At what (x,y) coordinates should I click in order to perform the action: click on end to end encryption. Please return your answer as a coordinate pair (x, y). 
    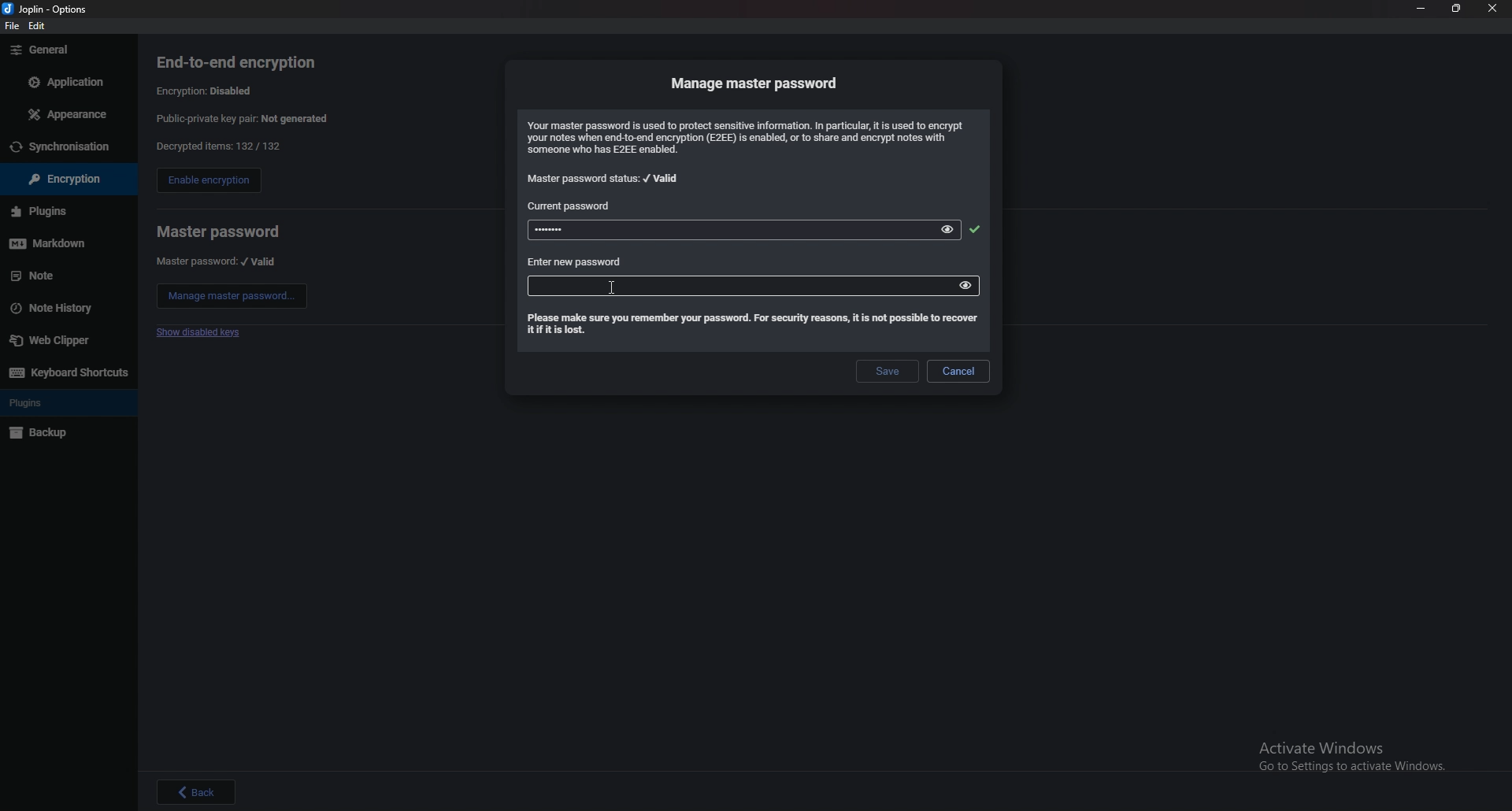
    Looking at the image, I should click on (248, 62).